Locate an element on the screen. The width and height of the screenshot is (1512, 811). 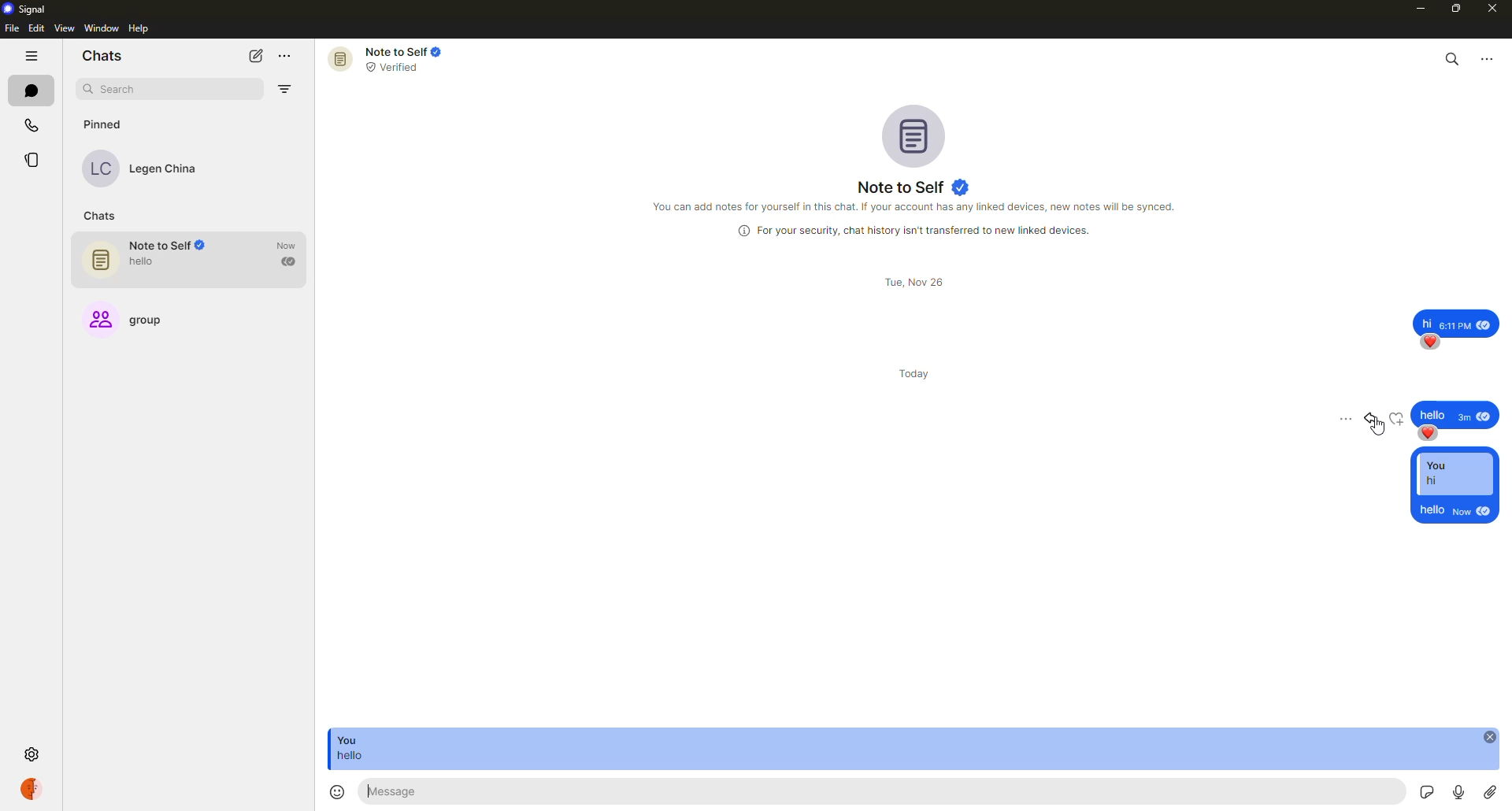
info is located at coordinates (914, 229).